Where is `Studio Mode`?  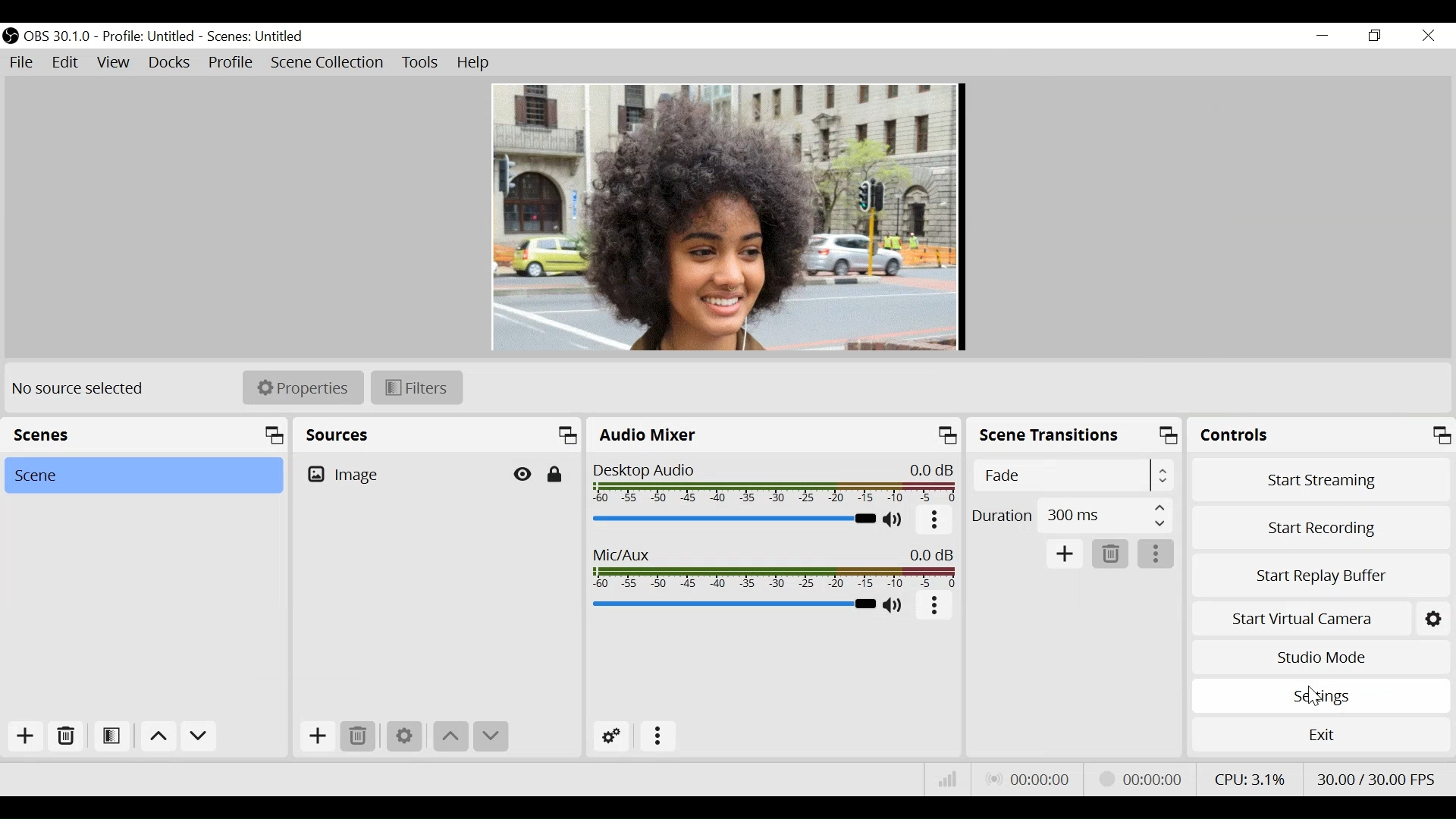
Studio Mode is located at coordinates (1319, 658).